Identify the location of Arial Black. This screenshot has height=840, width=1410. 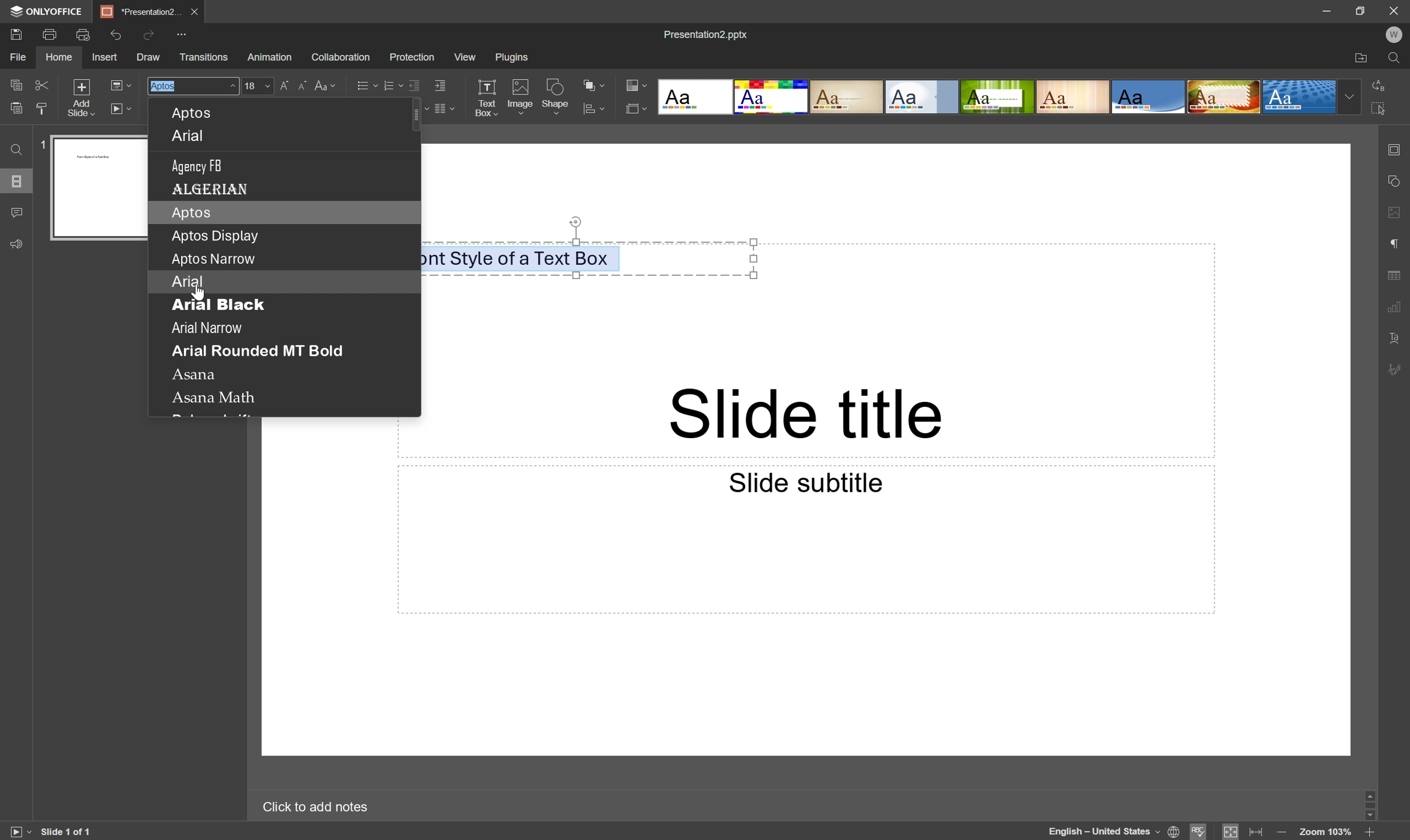
(217, 305).